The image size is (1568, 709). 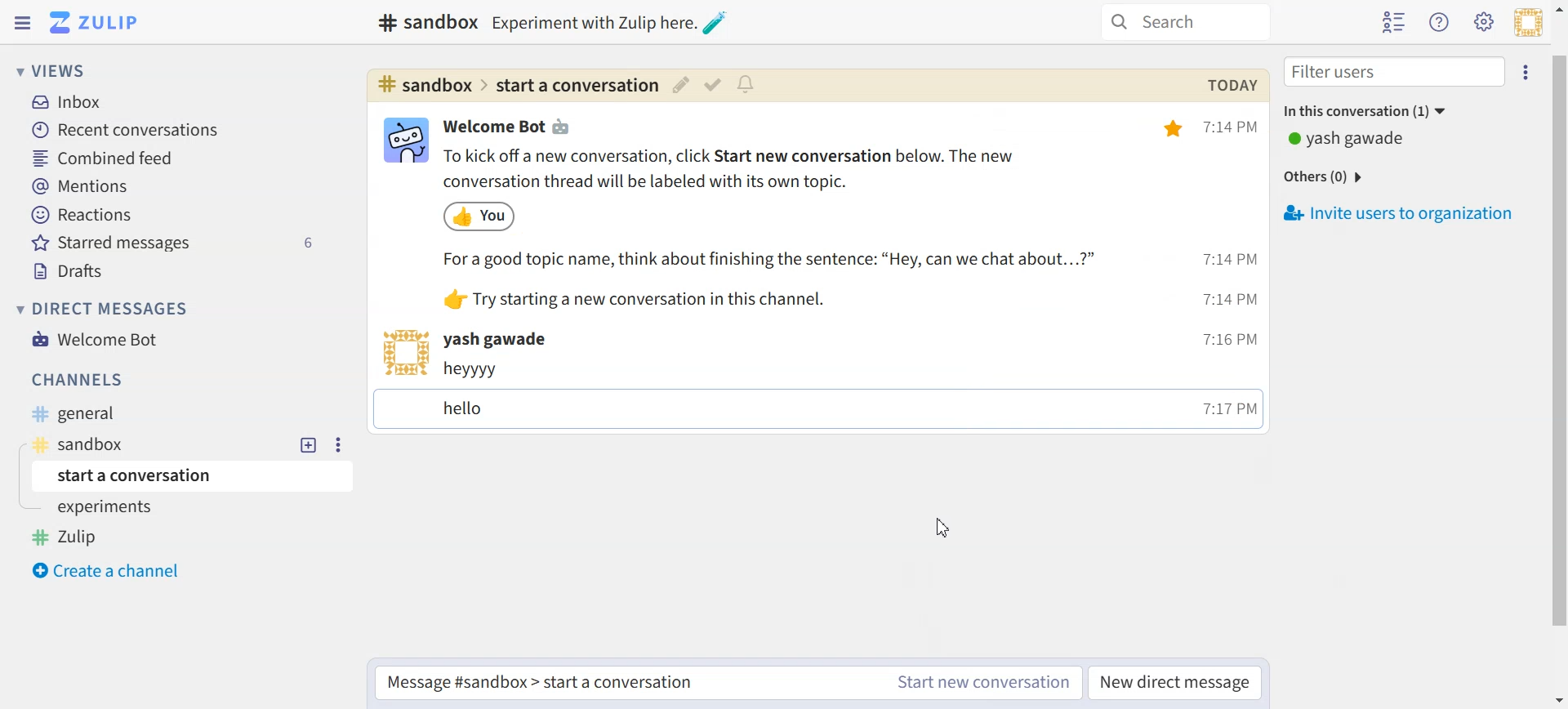 I want to click on Unstar this message, so click(x=1175, y=129).